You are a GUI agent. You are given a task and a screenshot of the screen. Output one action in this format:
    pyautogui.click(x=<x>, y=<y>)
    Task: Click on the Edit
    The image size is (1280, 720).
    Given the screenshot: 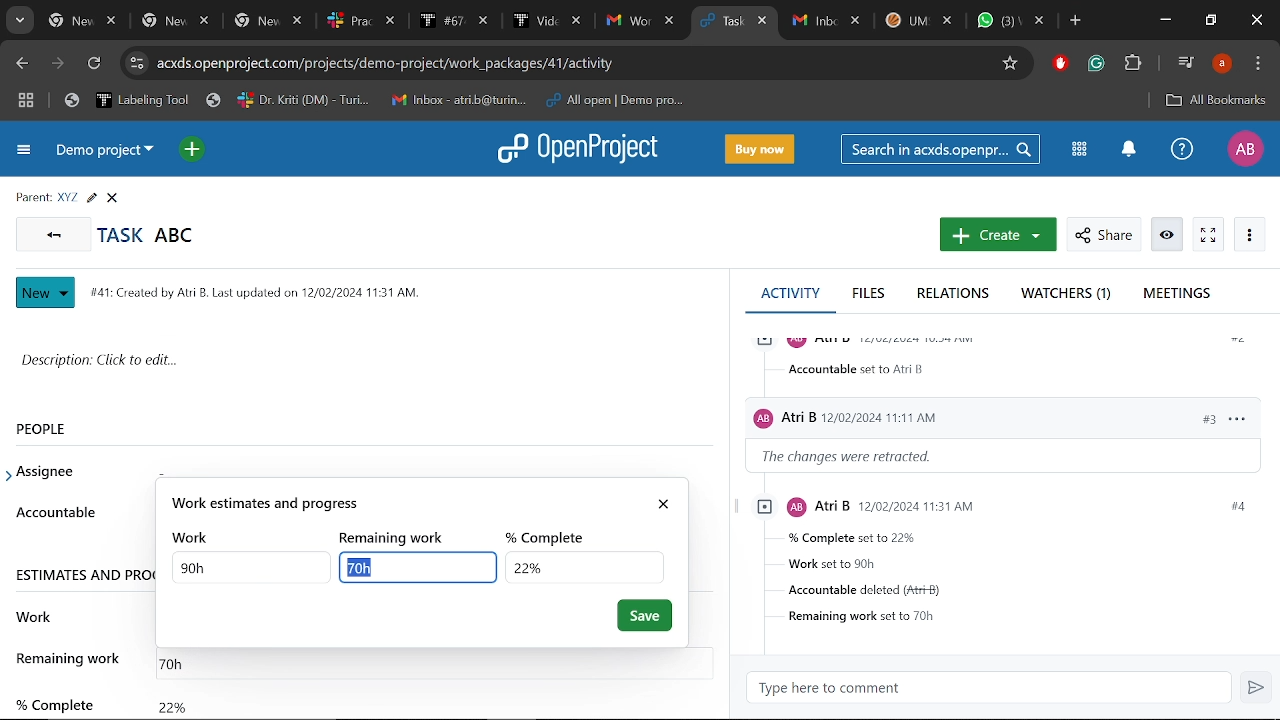 What is the action you would take?
    pyautogui.click(x=91, y=198)
    